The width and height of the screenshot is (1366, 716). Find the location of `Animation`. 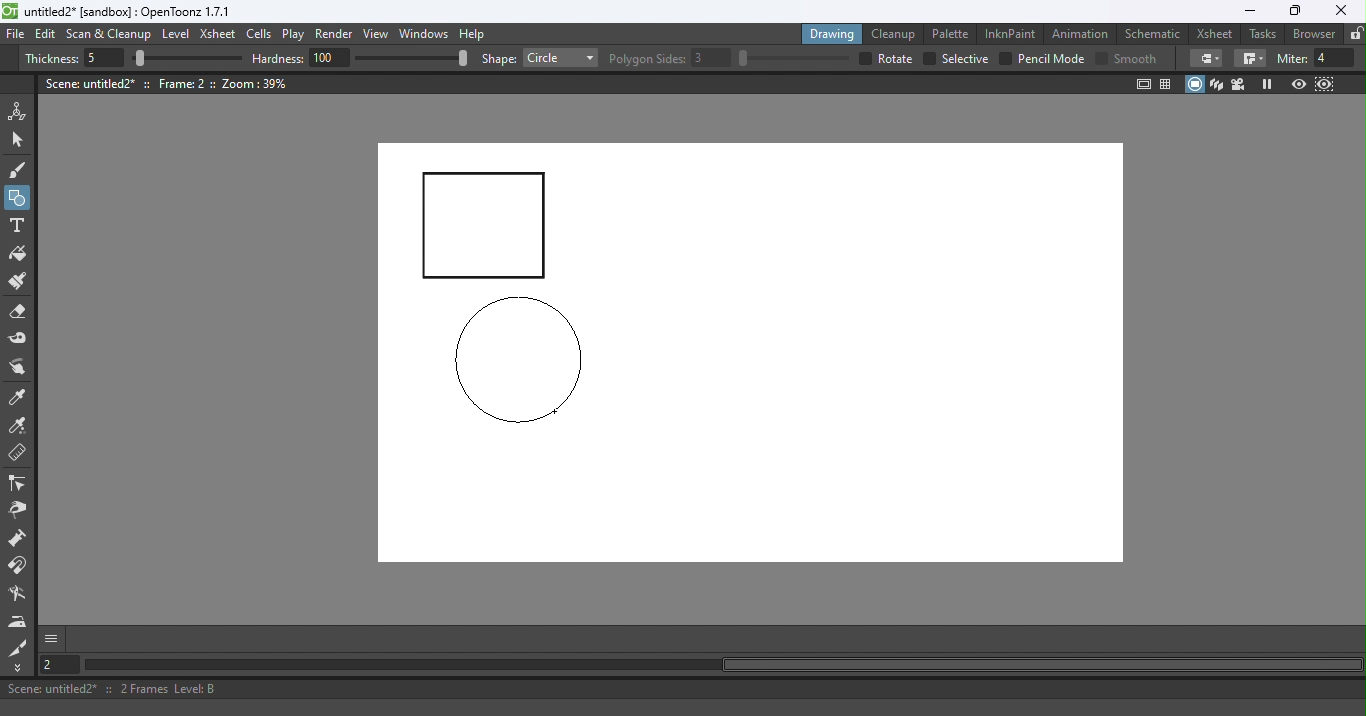

Animation is located at coordinates (1083, 32).